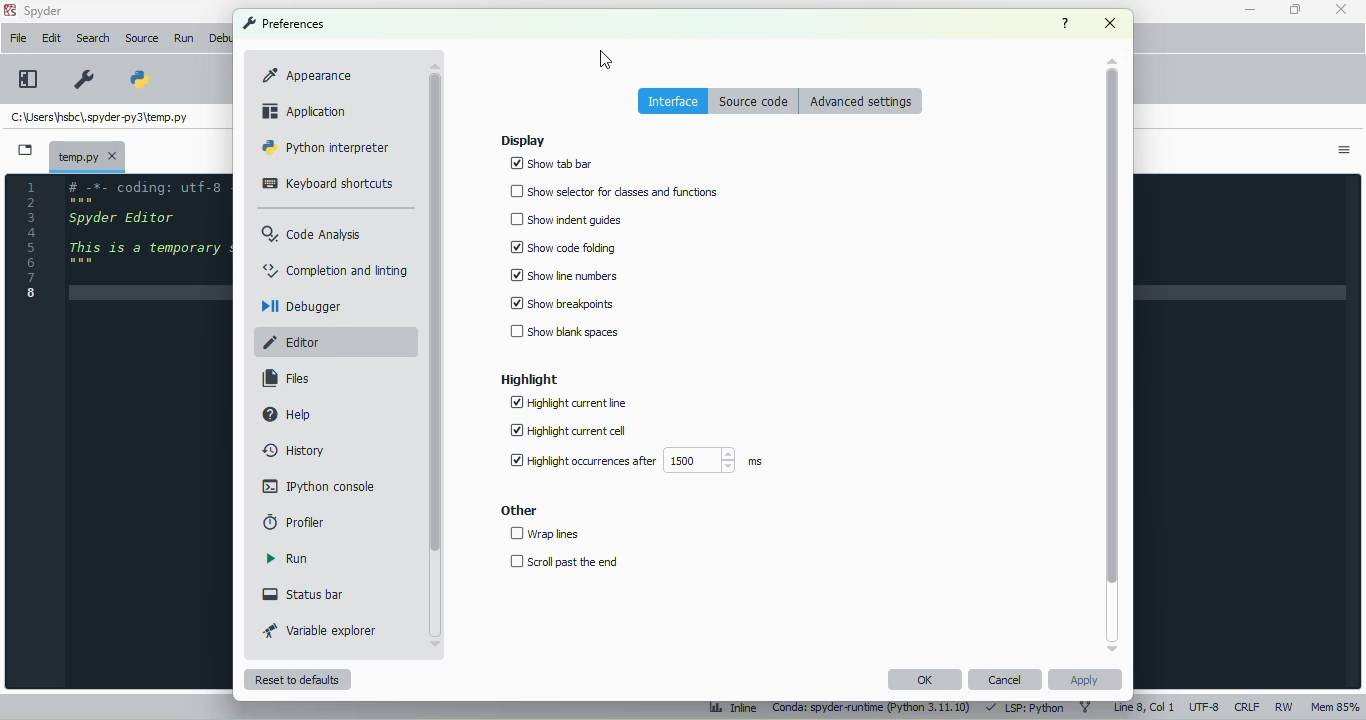 The width and height of the screenshot is (1366, 720). What do you see at coordinates (285, 23) in the screenshot?
I see `preferences` at bounding box center [285, 23].